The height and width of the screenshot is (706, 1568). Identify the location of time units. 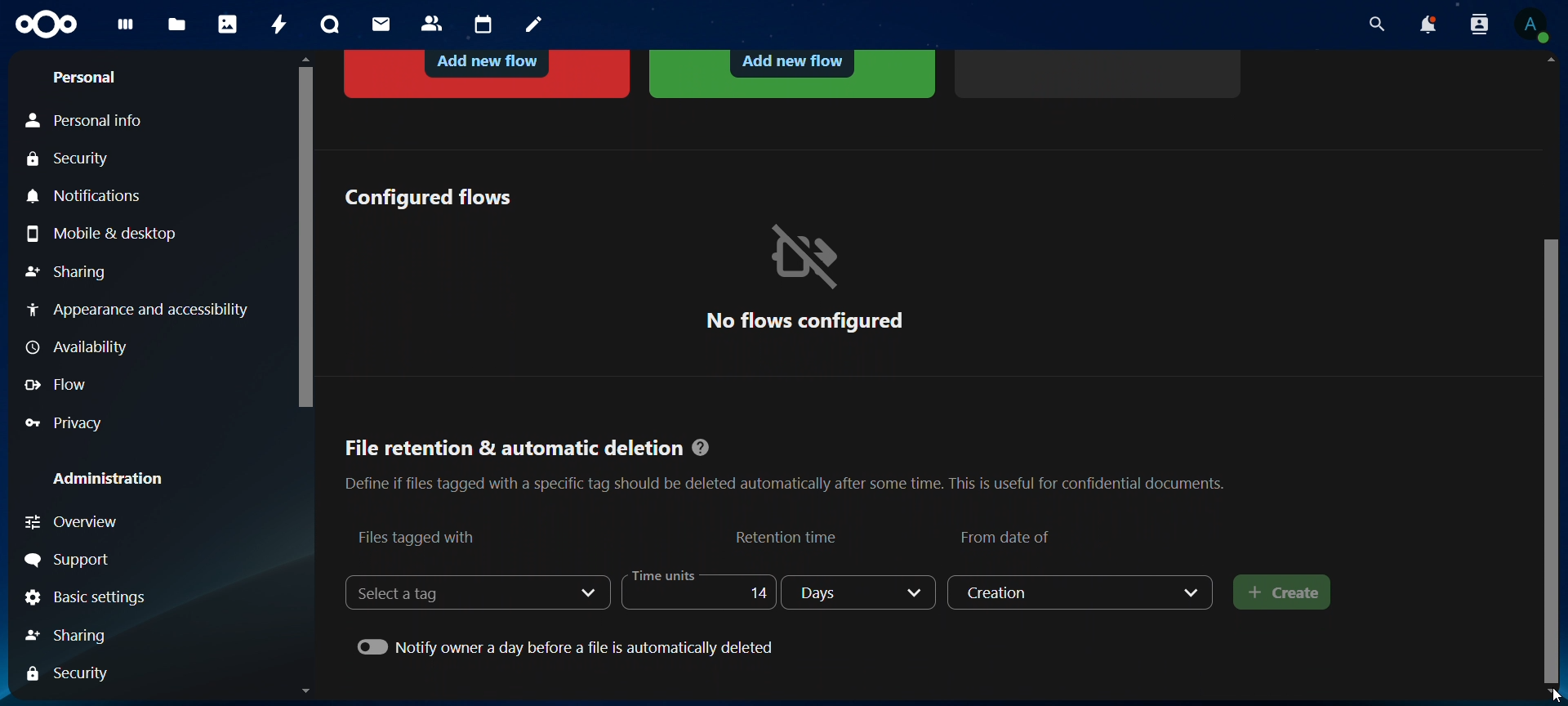
(694, 591).